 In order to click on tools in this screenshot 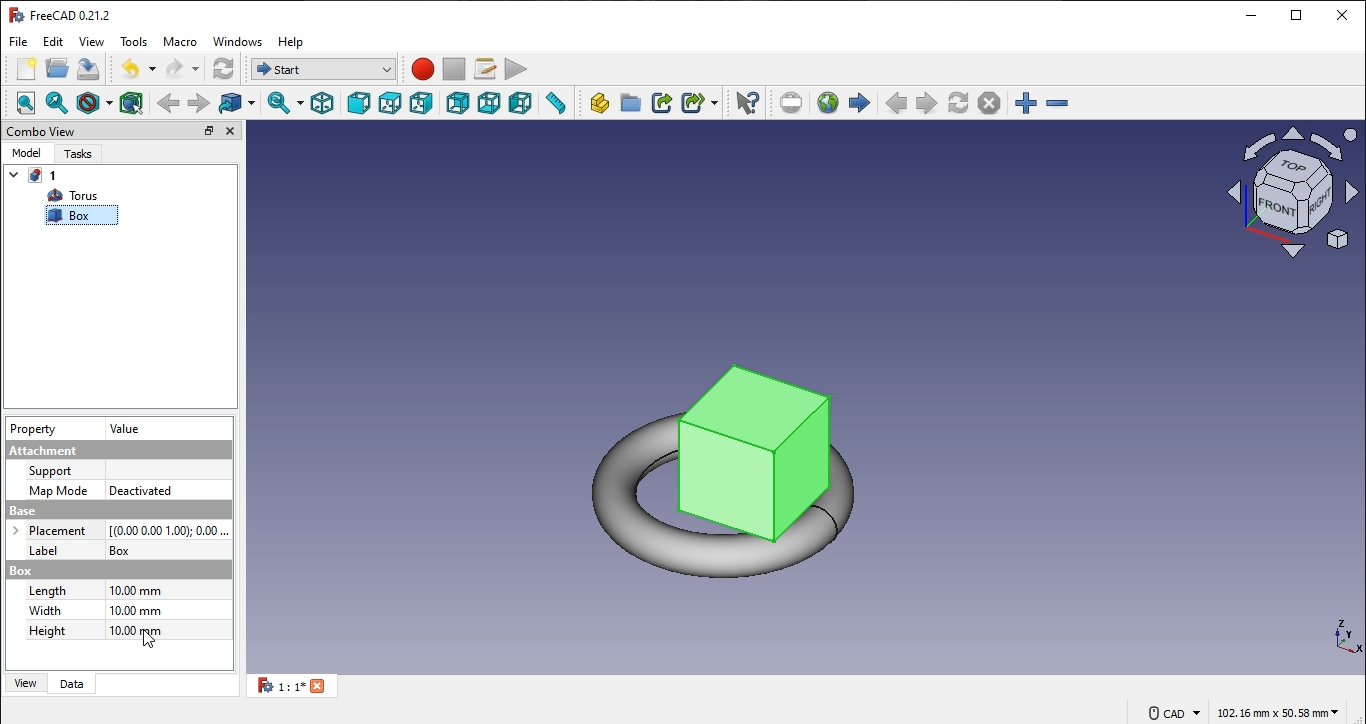, I will do `click(133, 40)`.